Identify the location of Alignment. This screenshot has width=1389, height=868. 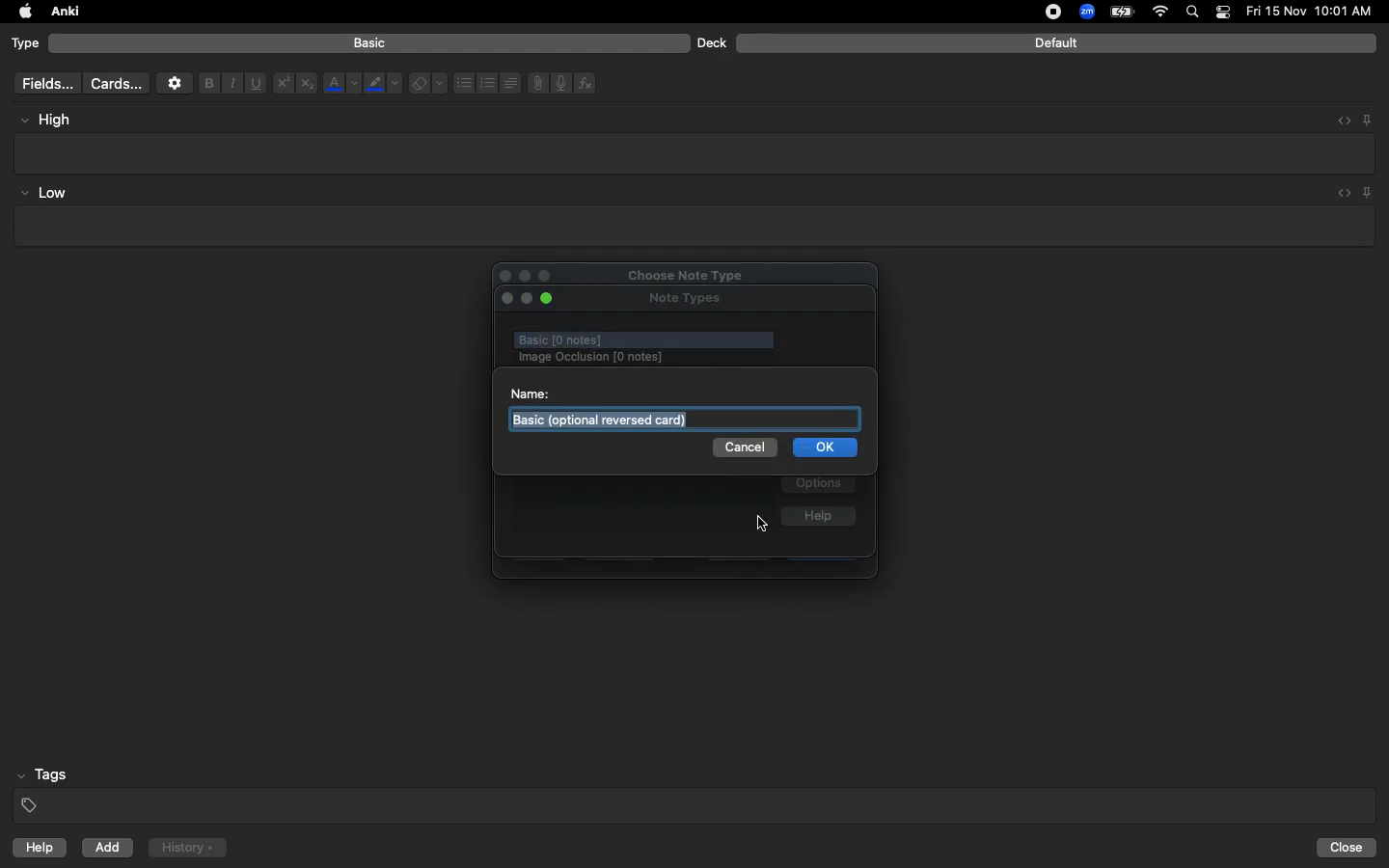
(508, 81).